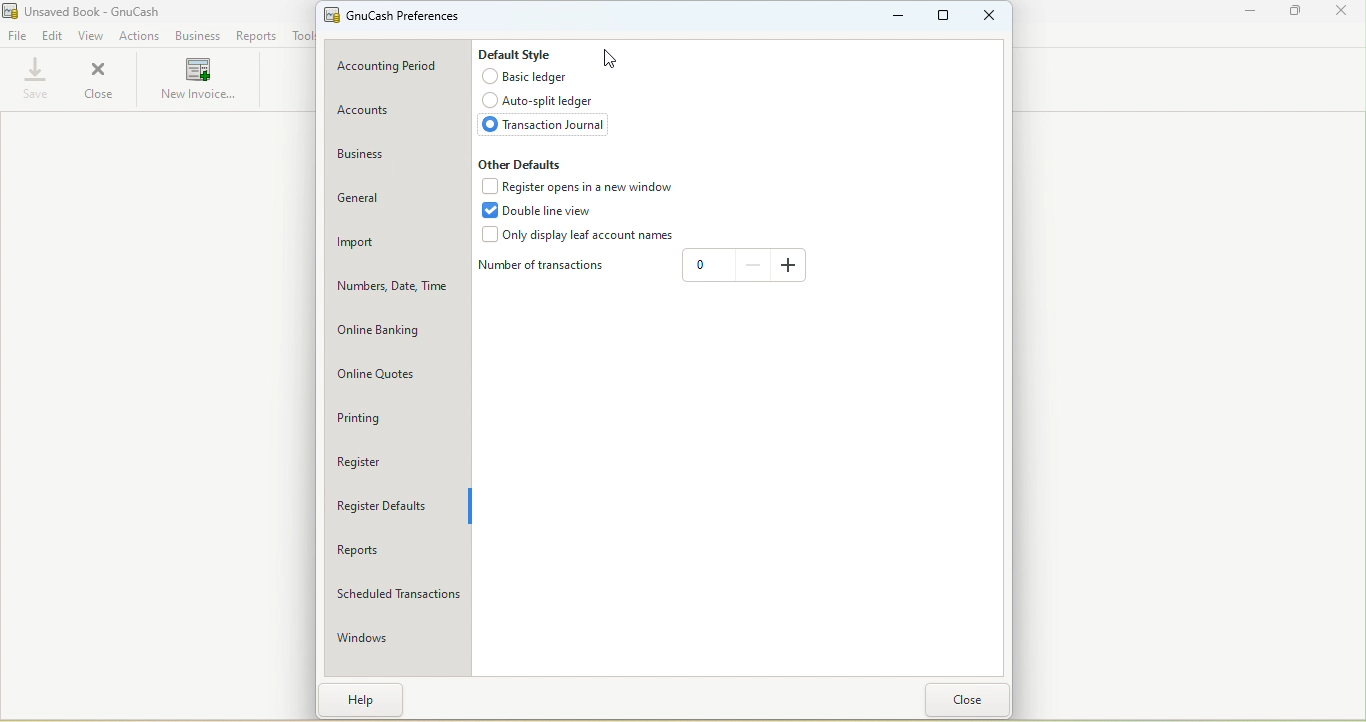 This screenshot has width=1366, height=722. I want to click on Accounts, so click(399, 111).